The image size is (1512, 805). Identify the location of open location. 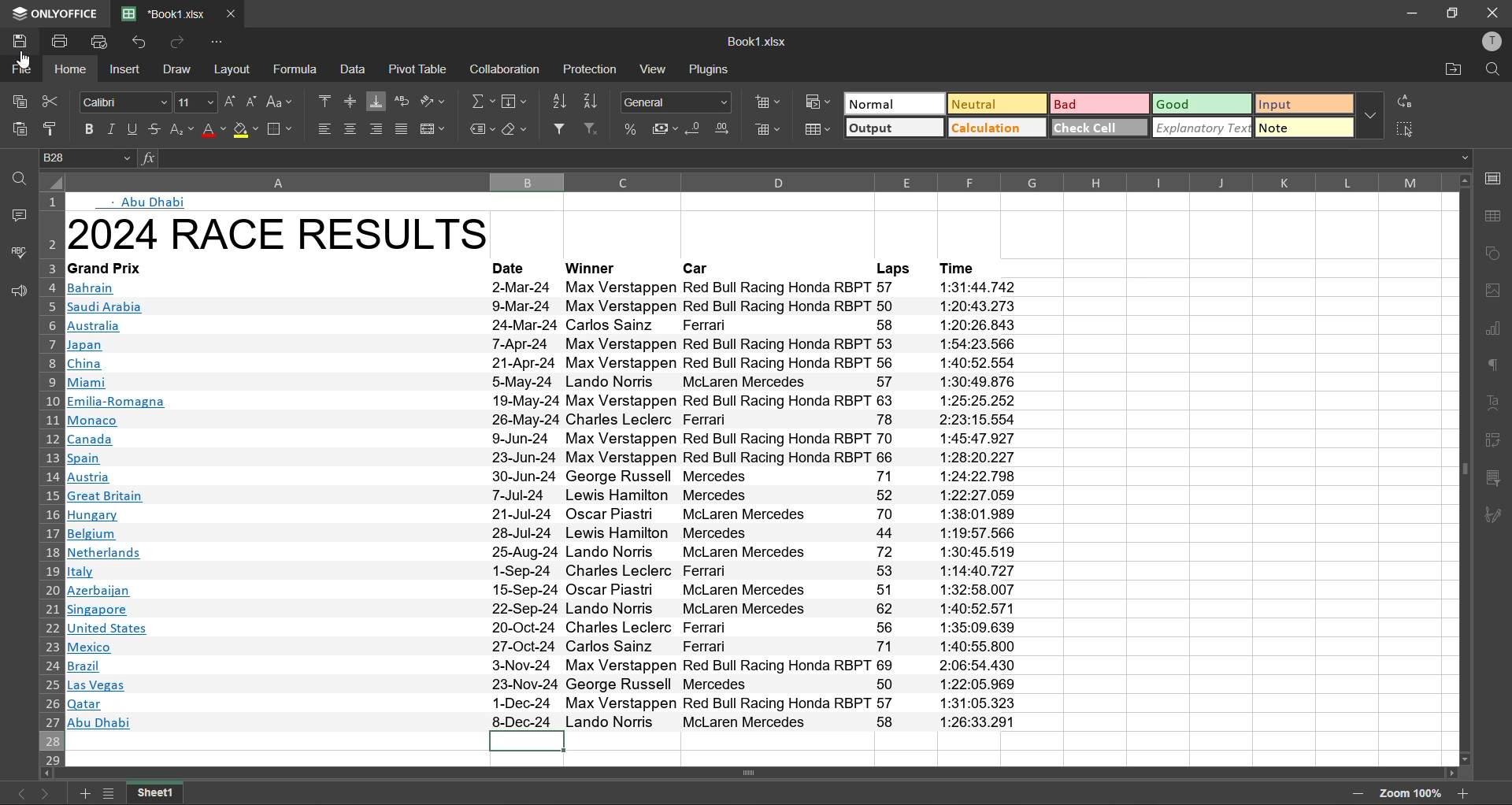
(1451, 71).